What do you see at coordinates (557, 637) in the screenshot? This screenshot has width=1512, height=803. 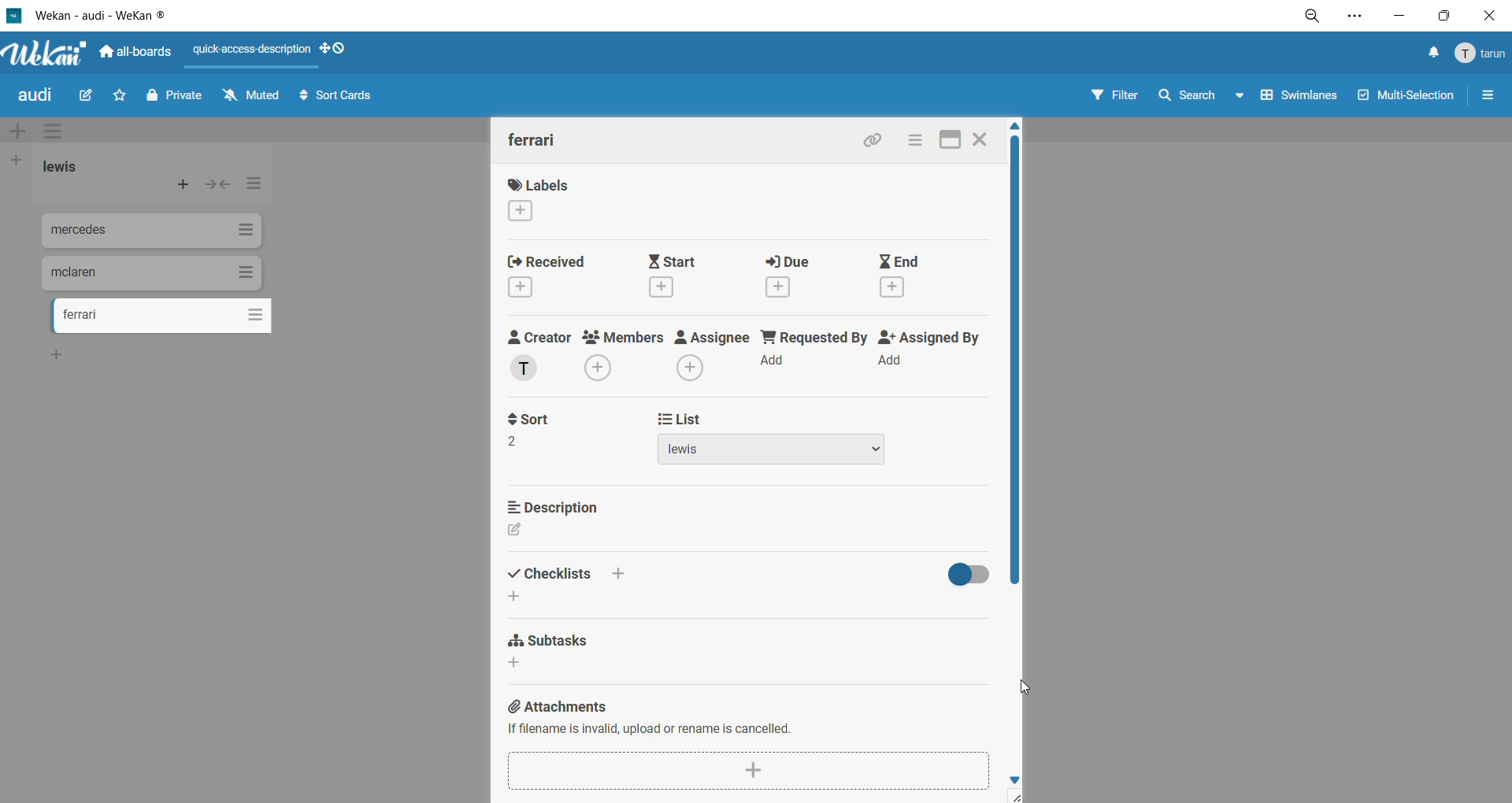 I see `subtasks` at bounding box center [557, 637].